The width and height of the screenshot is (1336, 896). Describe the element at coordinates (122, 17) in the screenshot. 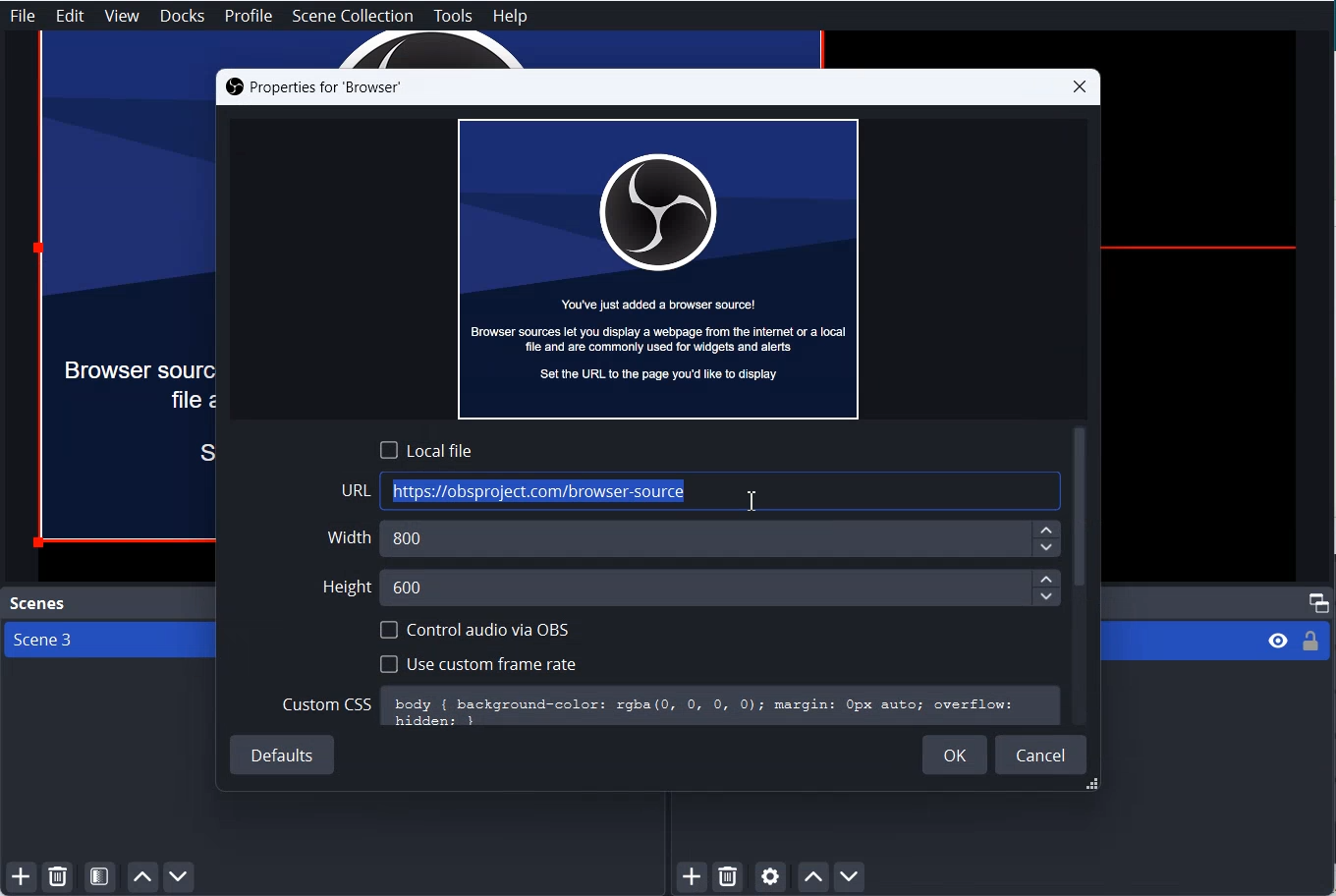

I see `View` at that location.